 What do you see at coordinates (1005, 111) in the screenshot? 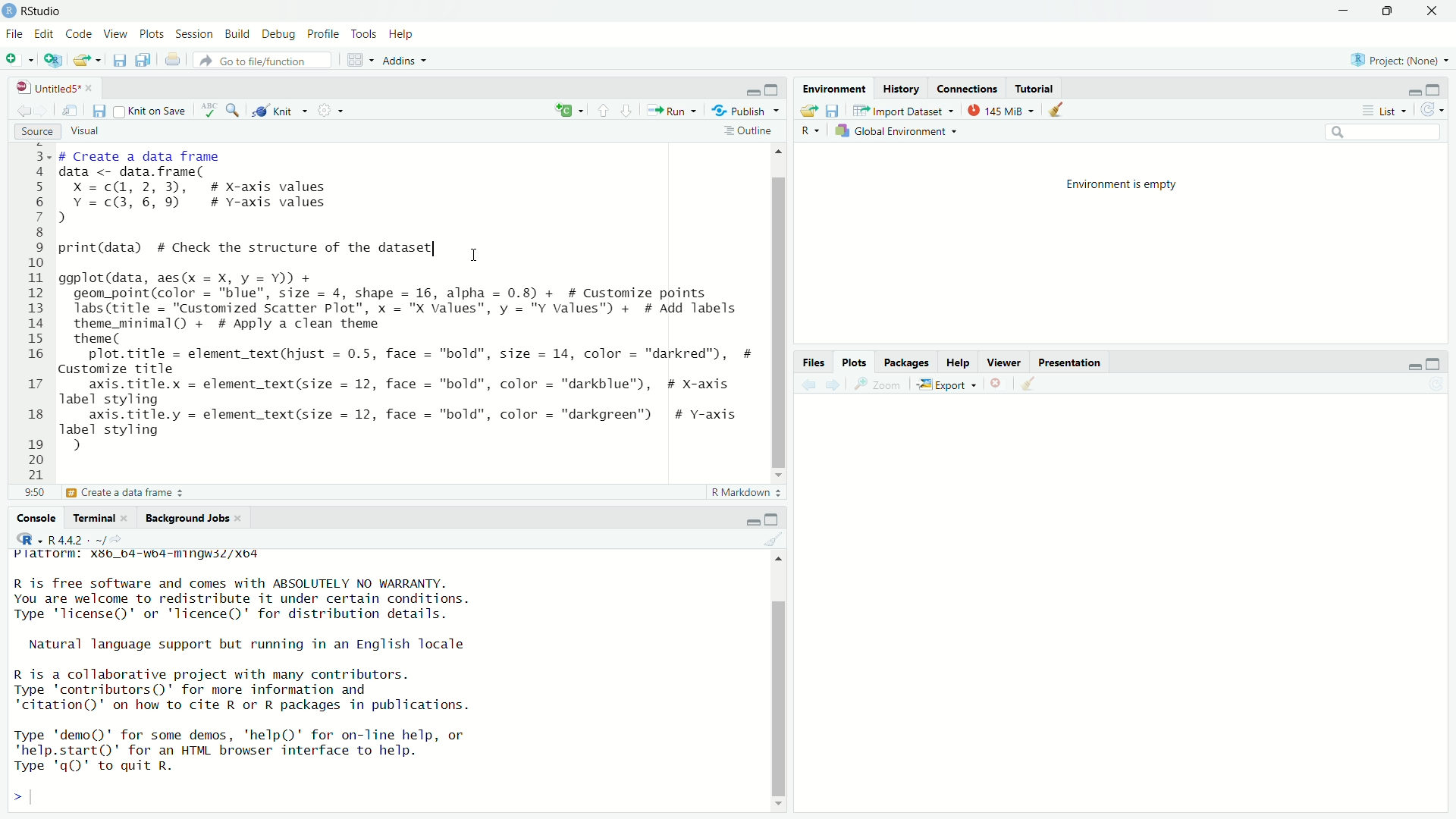
I see `145Mb used by the R session` at bounding box center [1005, 111].